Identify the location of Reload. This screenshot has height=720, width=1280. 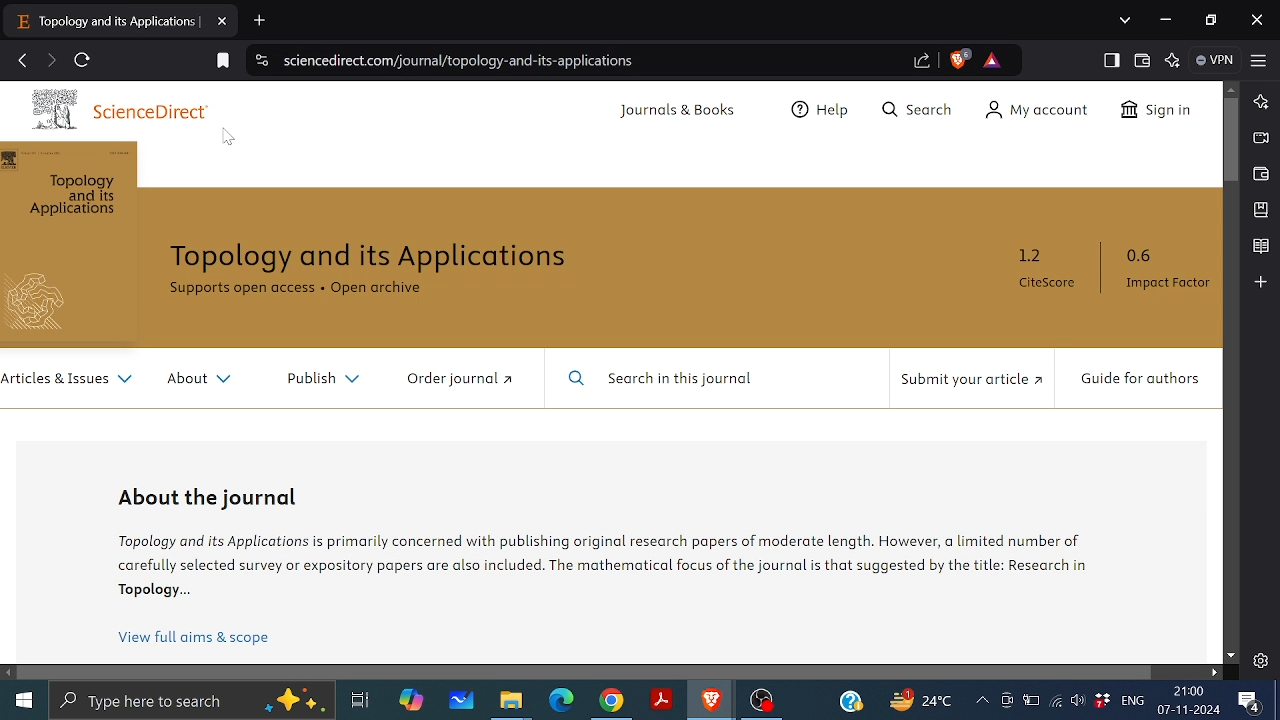
(84, 61).